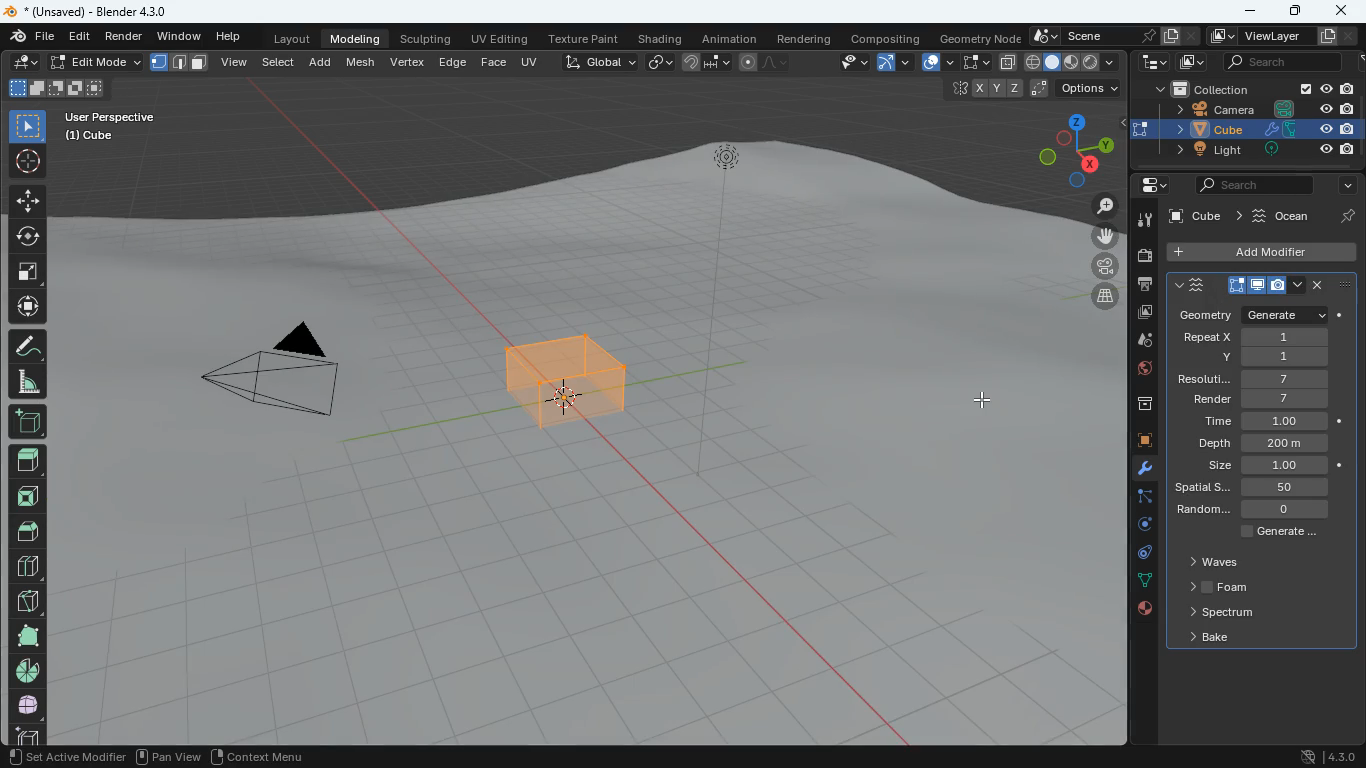 The width and height of the screenshot is (1366, 768). What do you see at coordinates (1145, 609) in the screenshot?
I see `public` at bounding box center [1145, 609].